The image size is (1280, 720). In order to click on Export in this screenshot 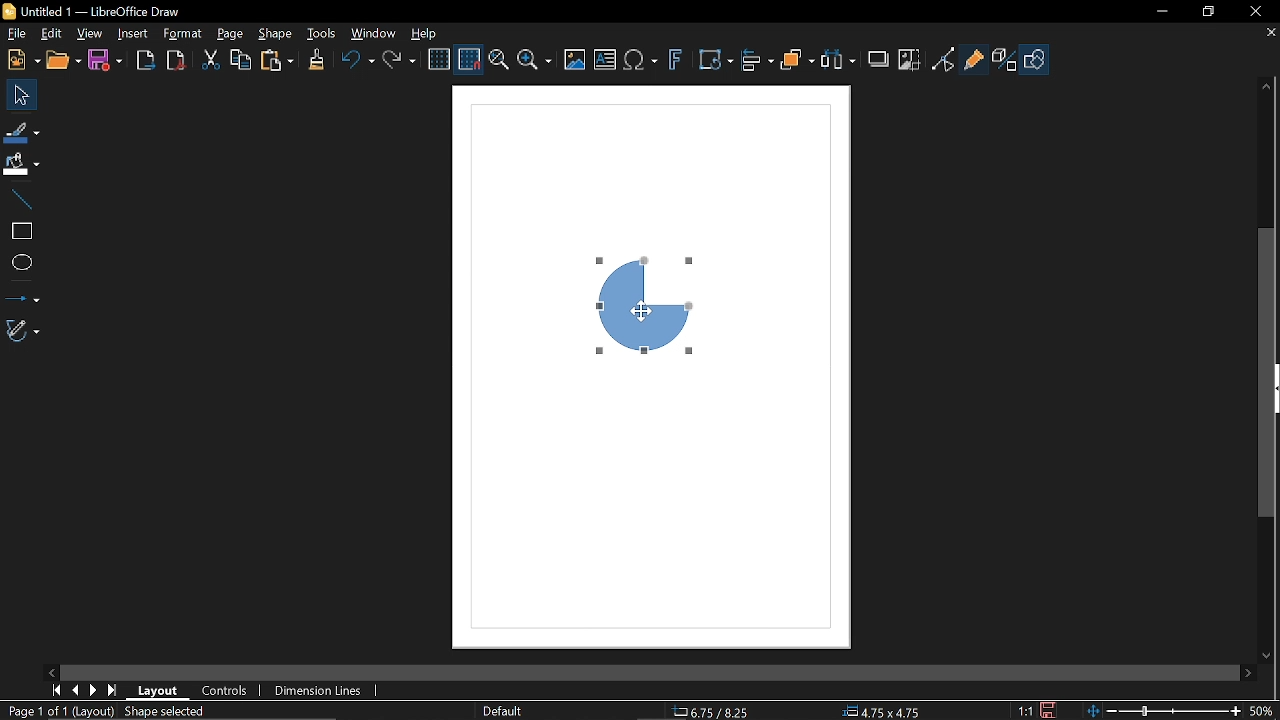, I will do `click(146, 59)`.